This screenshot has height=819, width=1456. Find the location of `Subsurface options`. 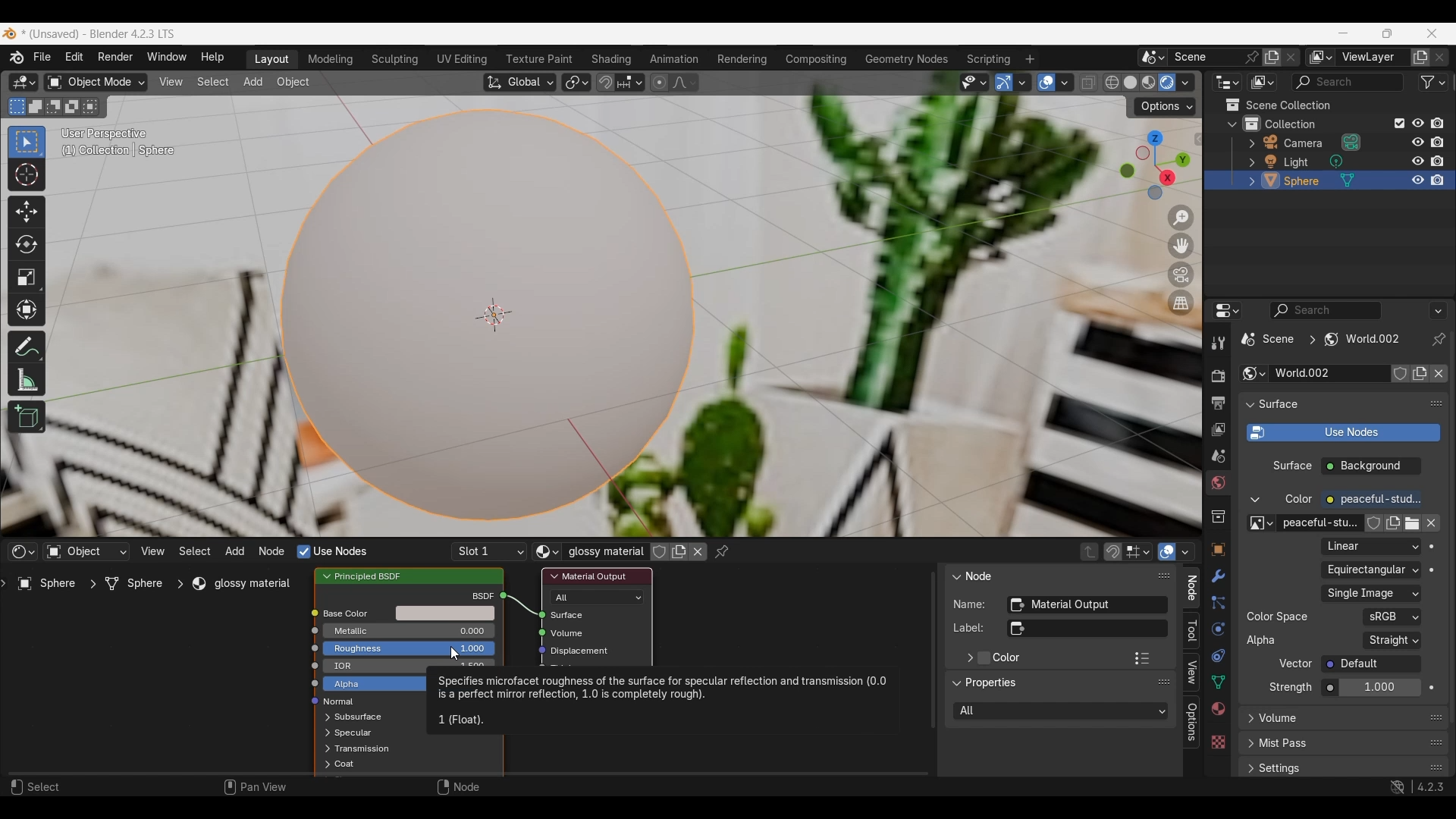

Subsurface options is located at coordinates (358, 717).